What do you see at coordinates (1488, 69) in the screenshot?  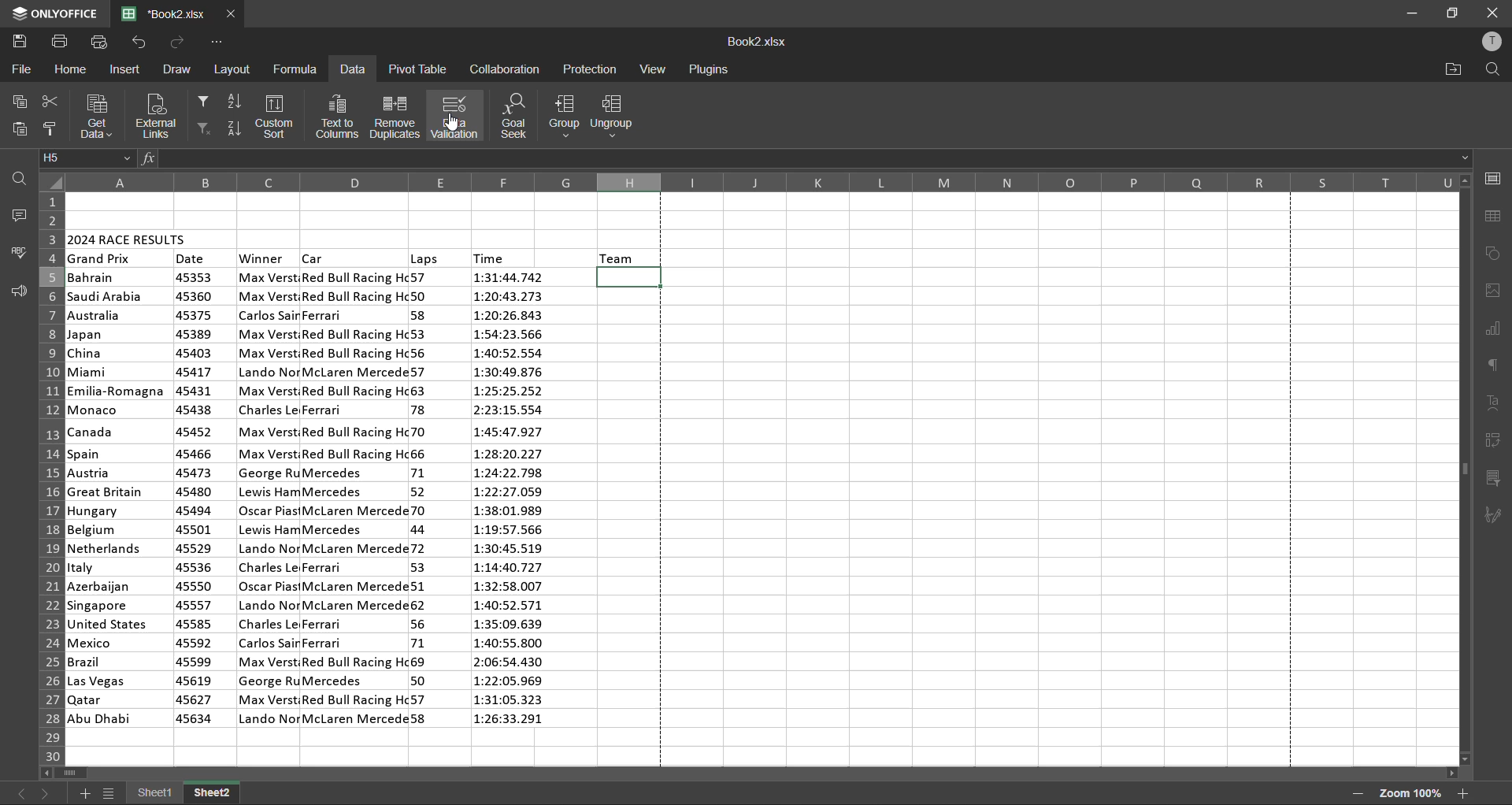 I see `find` at bounding box center [1488, 69].